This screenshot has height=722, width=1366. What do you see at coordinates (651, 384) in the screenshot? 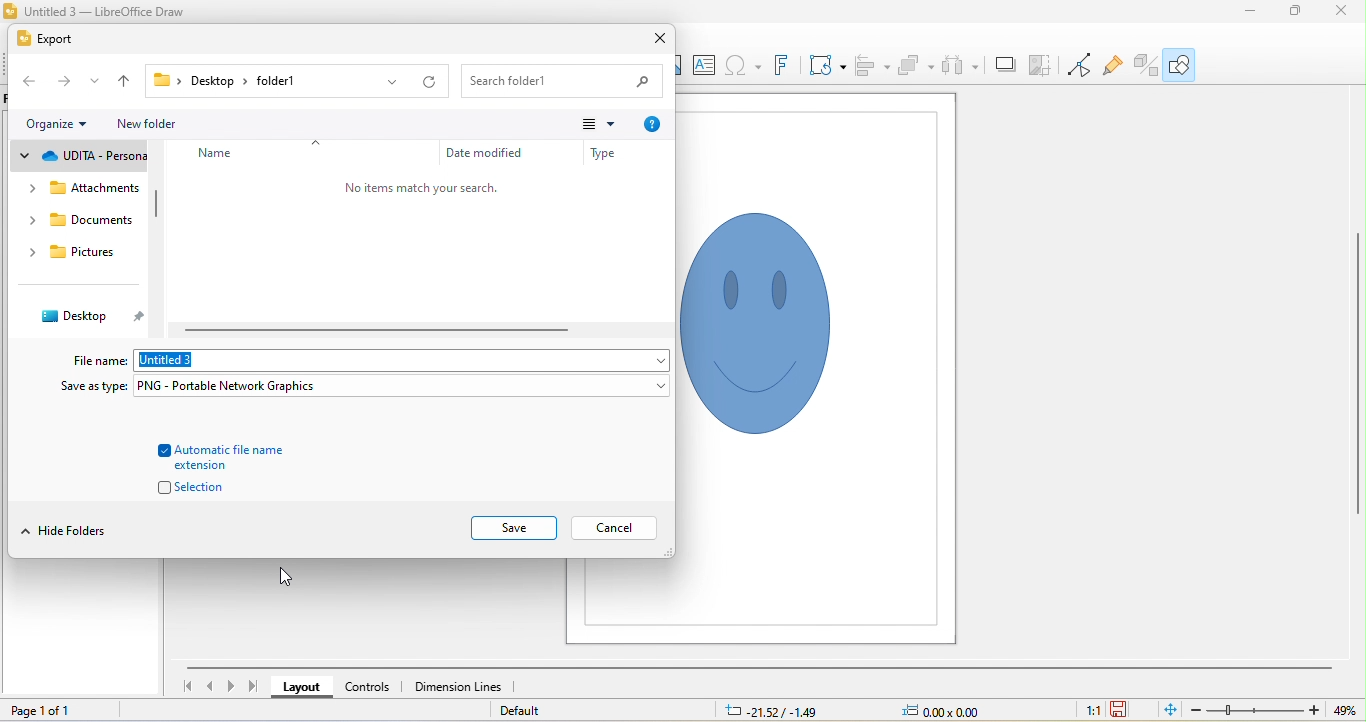
I see `drop down` at bounding box center [651, 384].